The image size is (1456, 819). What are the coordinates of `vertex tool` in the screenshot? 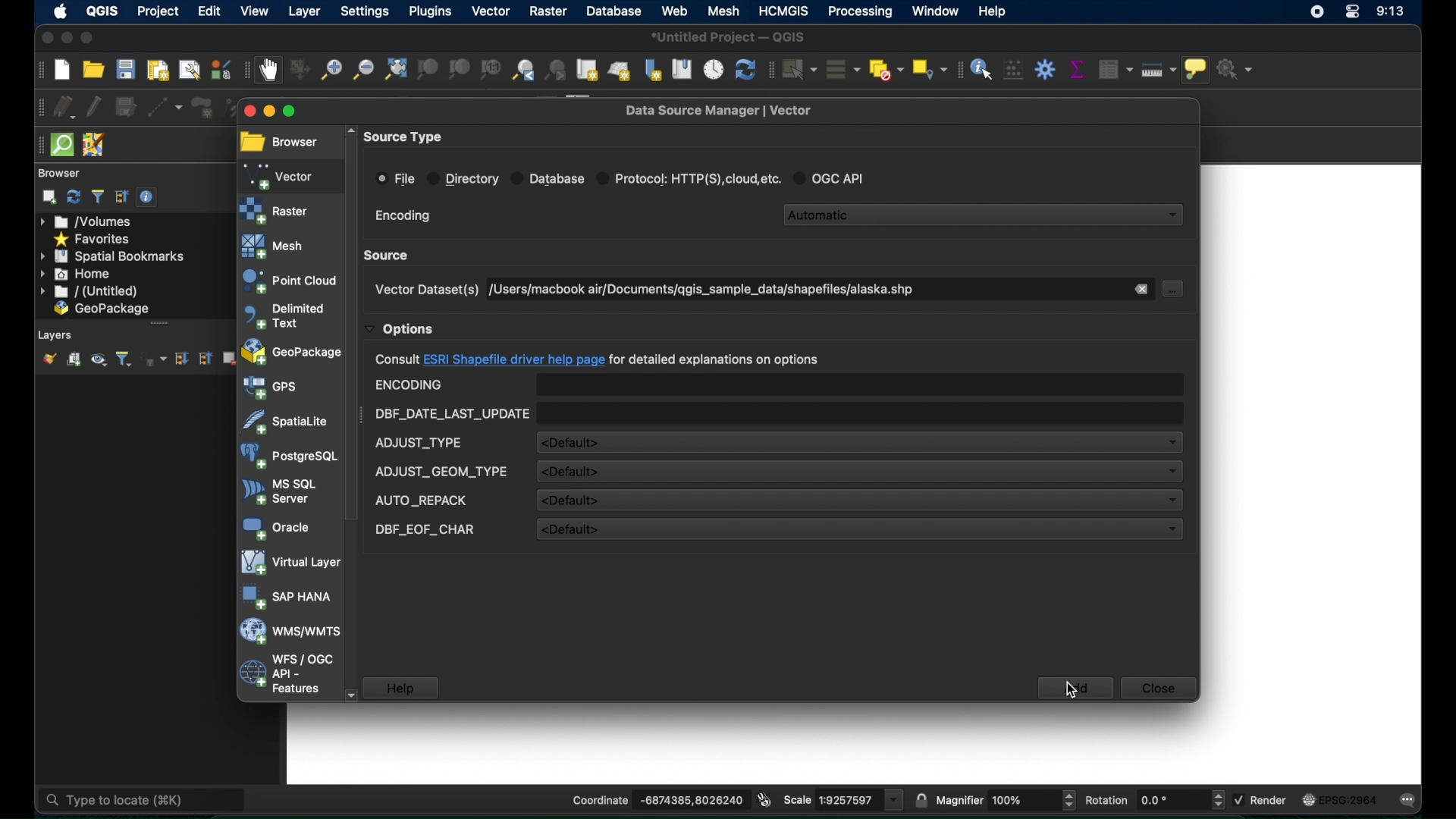 It's located at (239, 108).